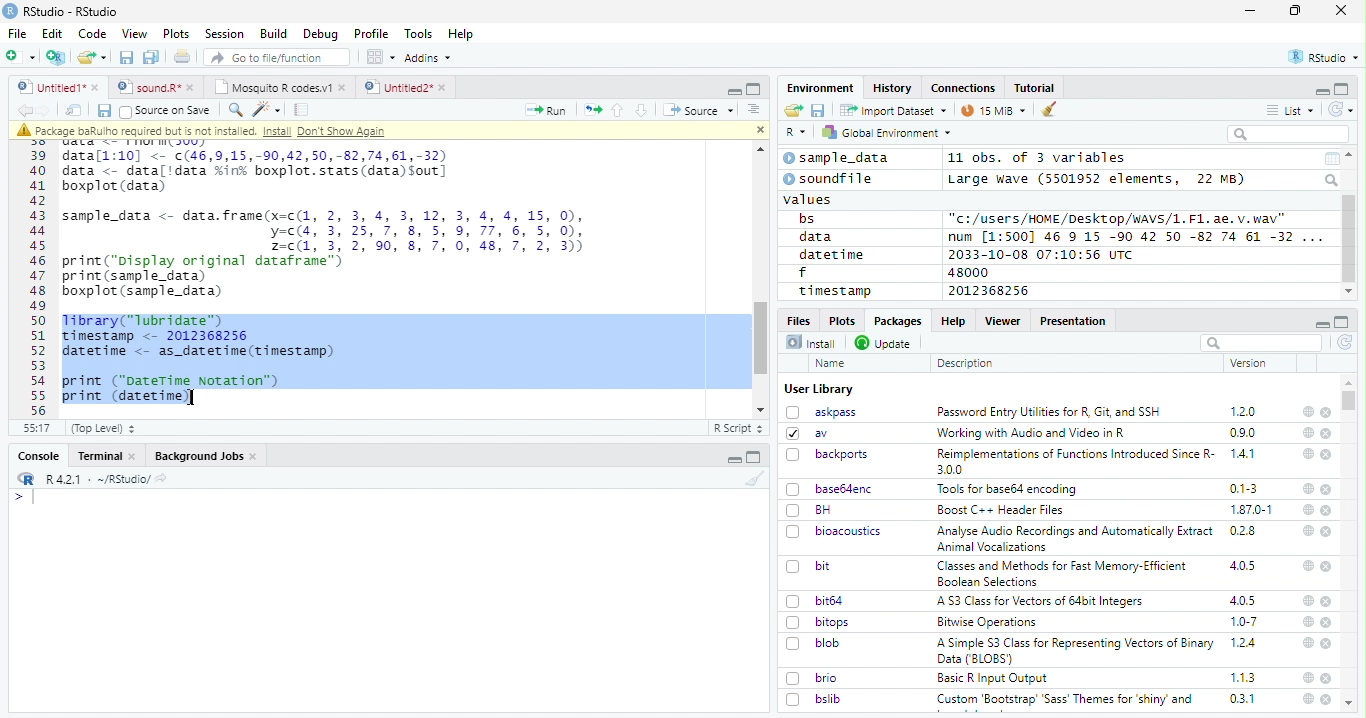  Describe the element at coordinates (1341, 9) in the screenshot. I see `close` at that location.